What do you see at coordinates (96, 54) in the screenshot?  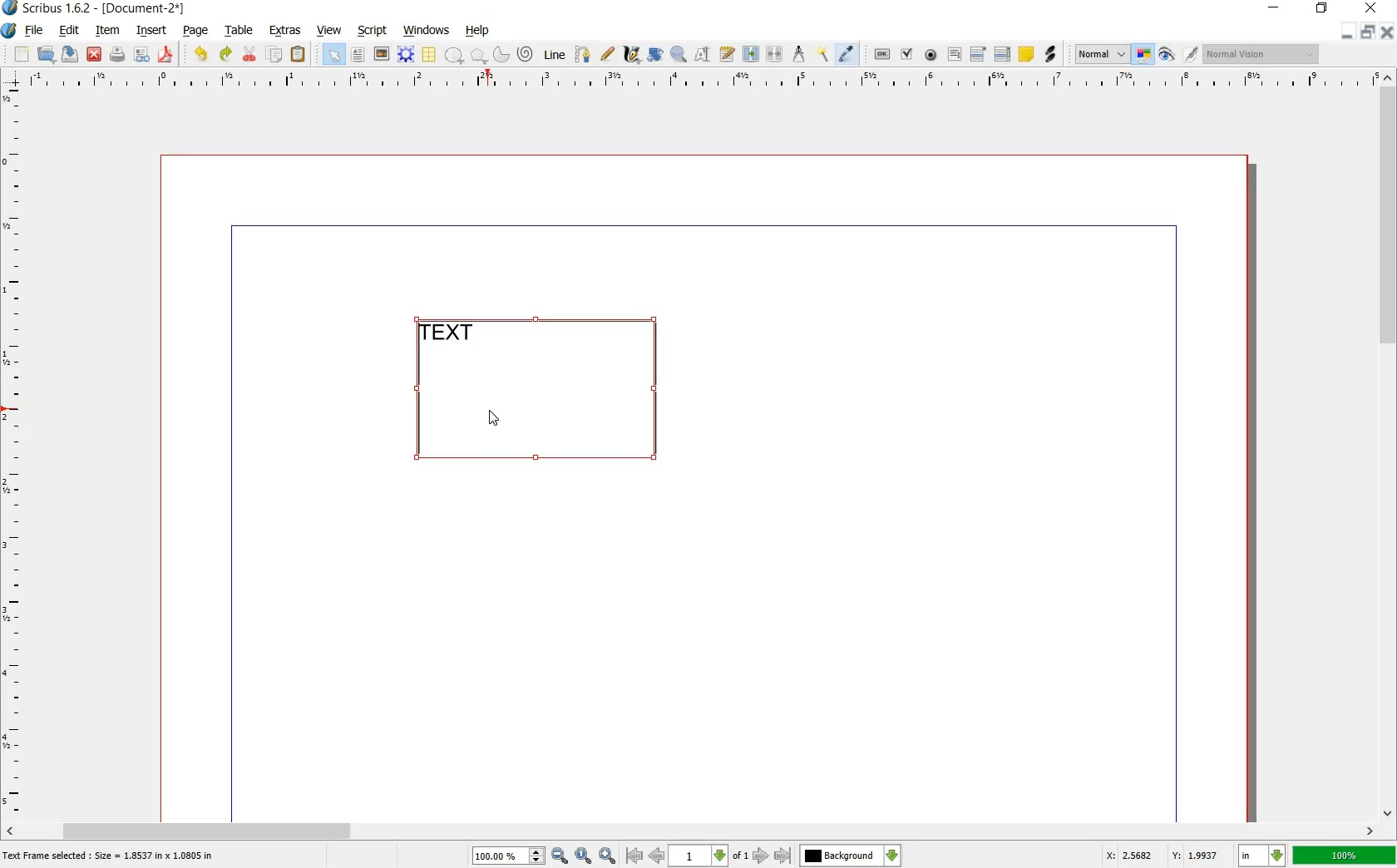 I see `close` at bounding box center [96, 54].